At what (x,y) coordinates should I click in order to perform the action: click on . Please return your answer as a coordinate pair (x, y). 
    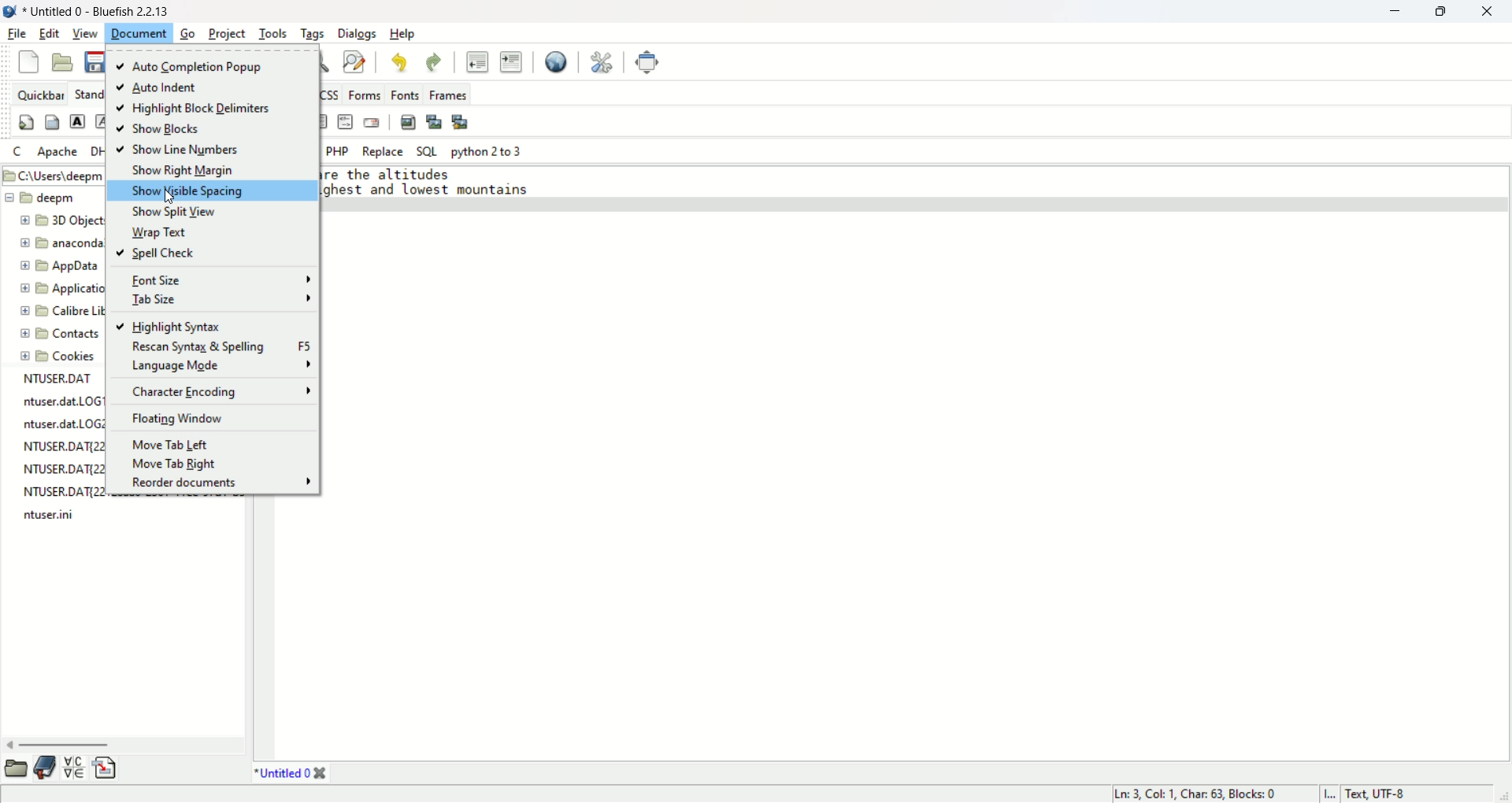
    Looking at the image, I should click on (221, 485).